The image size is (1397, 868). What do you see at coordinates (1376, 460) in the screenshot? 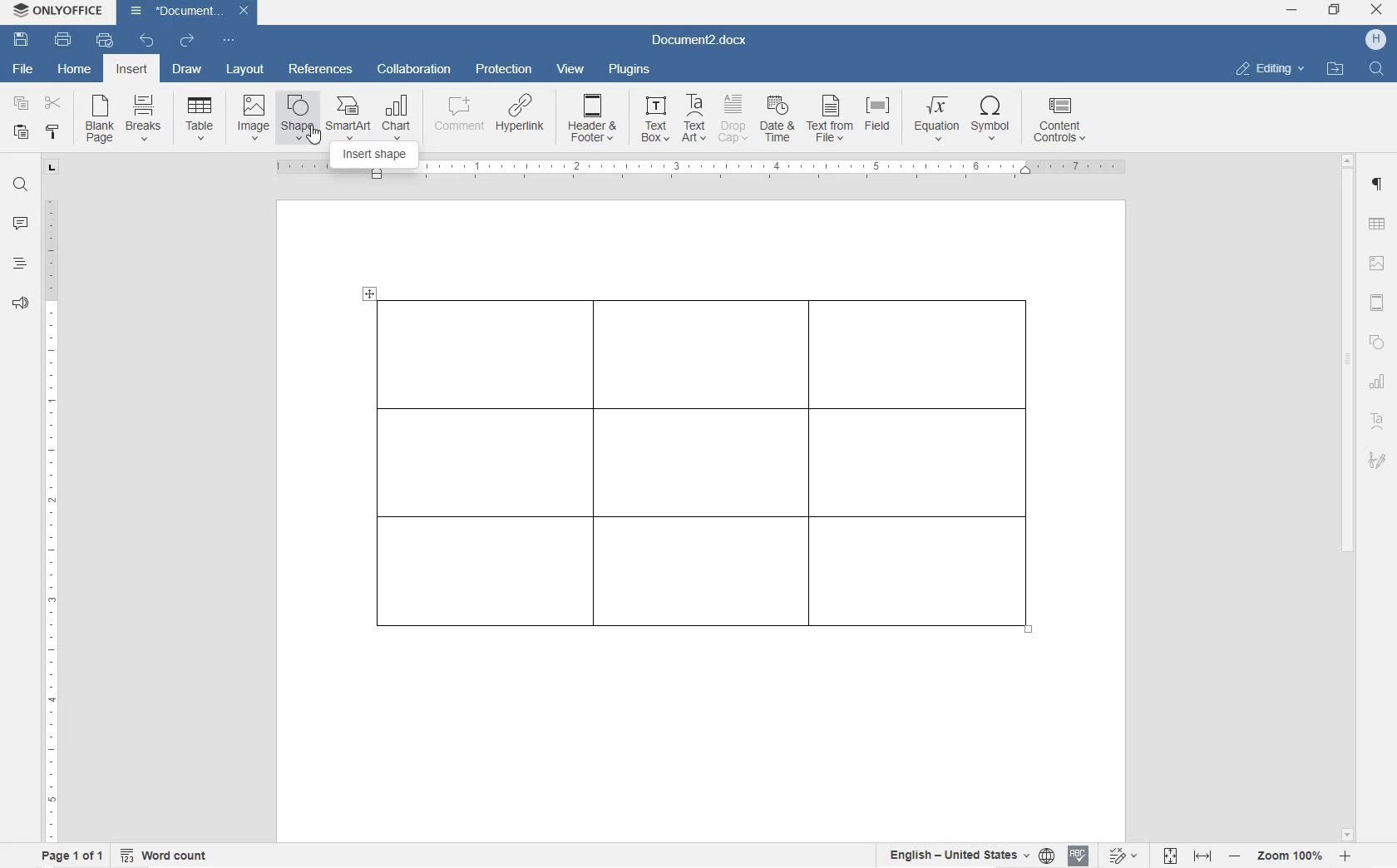
I see `signature` at bounding box center [1376, 460].